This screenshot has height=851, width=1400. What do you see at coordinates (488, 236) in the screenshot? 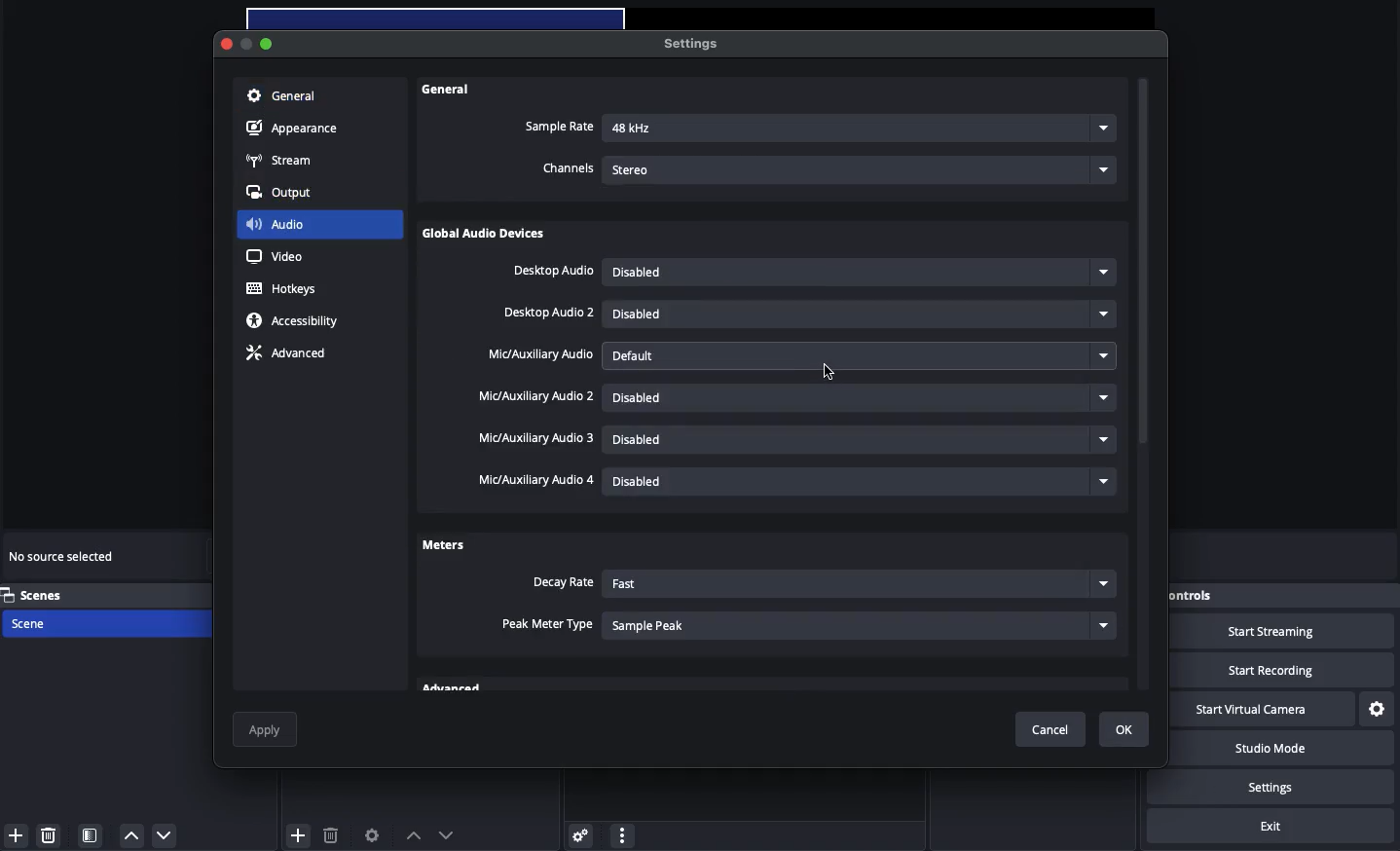
I see `Global audio devices` at bounding box center [488, 236].